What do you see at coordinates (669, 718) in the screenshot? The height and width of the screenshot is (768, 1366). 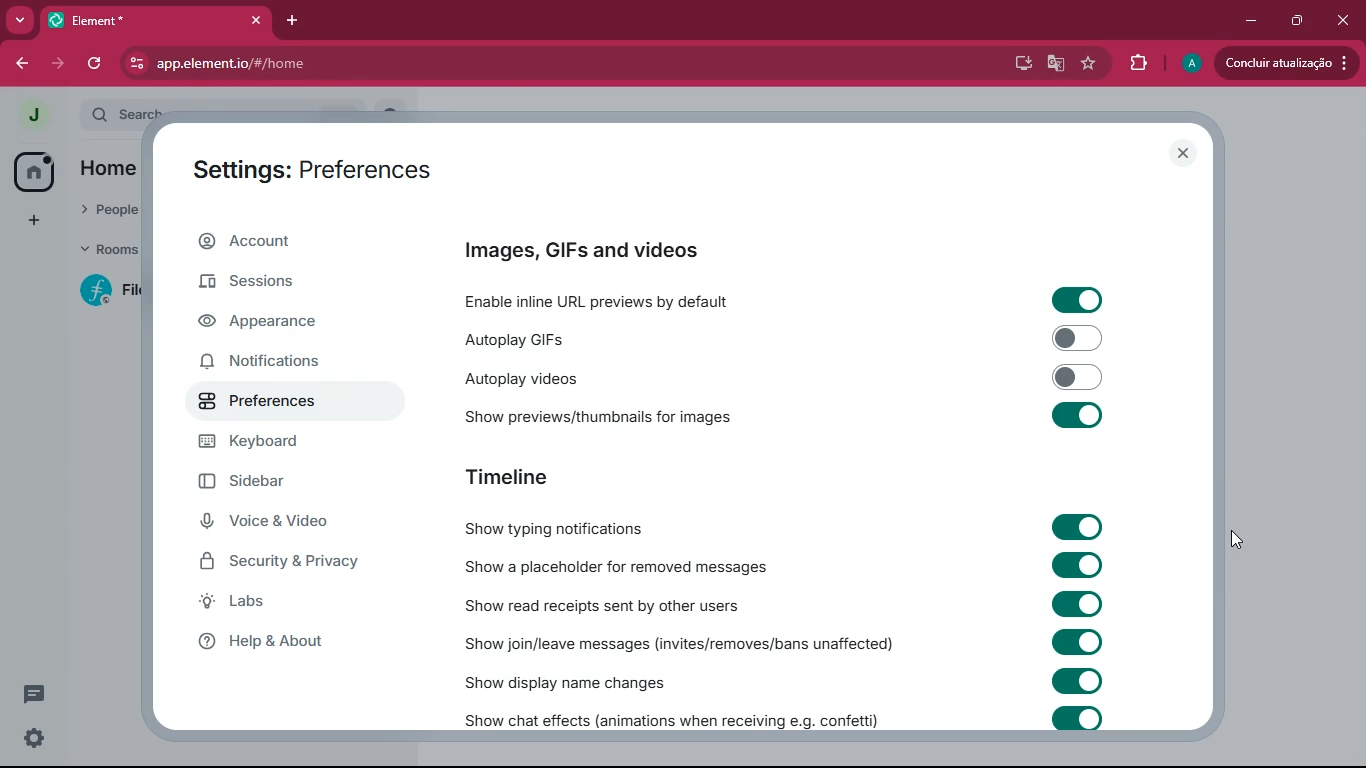 I see `show chat effects (animations when receiving e.g. confetti)` at bounding box center [669, 718].